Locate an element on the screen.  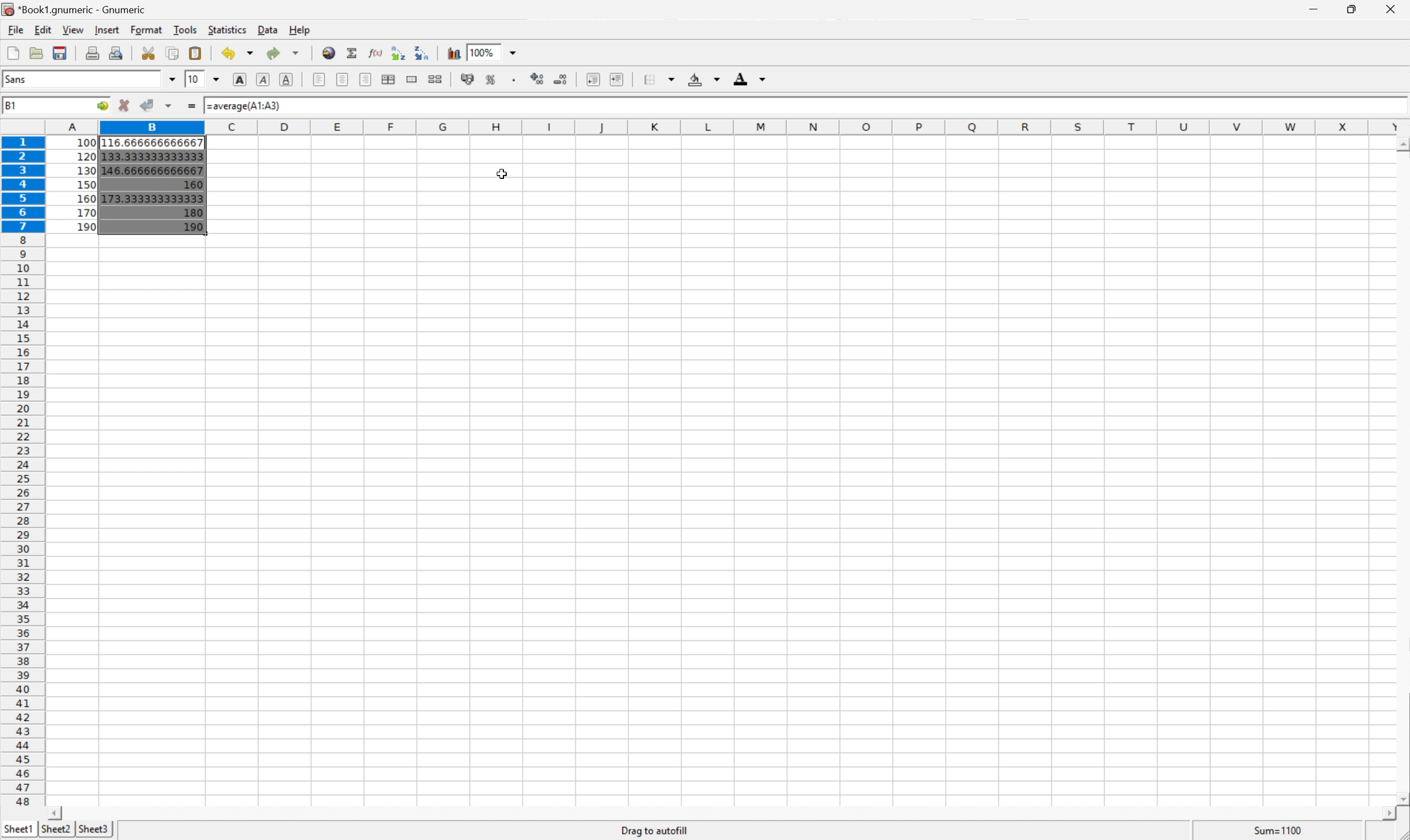
Help is located at coordinates (301, 28).